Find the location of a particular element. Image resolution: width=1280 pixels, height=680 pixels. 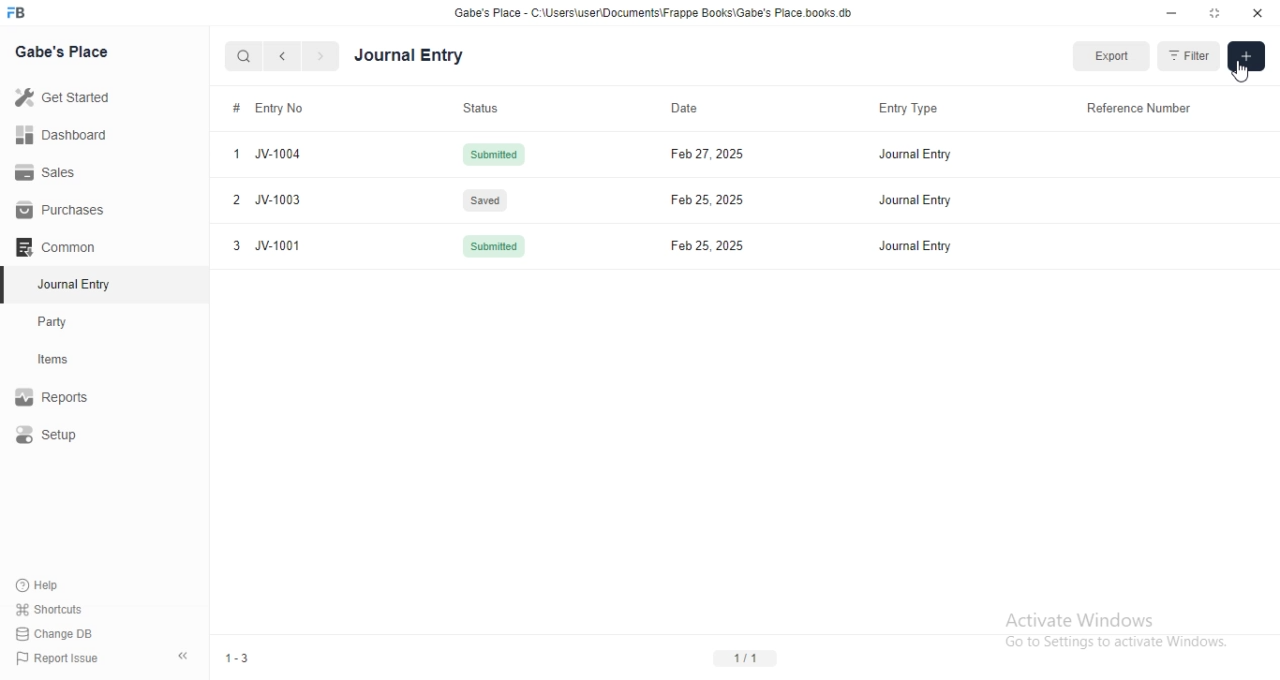

Dashboard is located at coordinates (66, 134).